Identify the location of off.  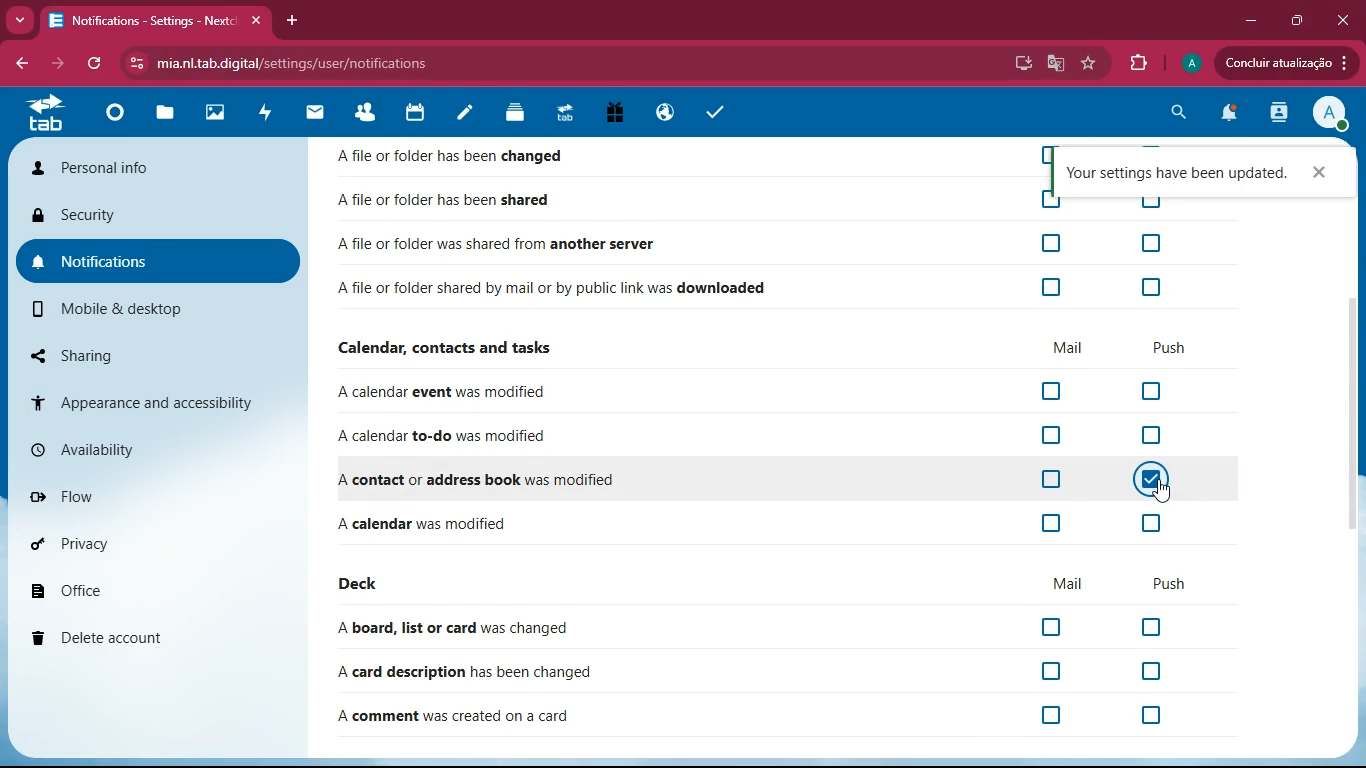
(1051, 199).